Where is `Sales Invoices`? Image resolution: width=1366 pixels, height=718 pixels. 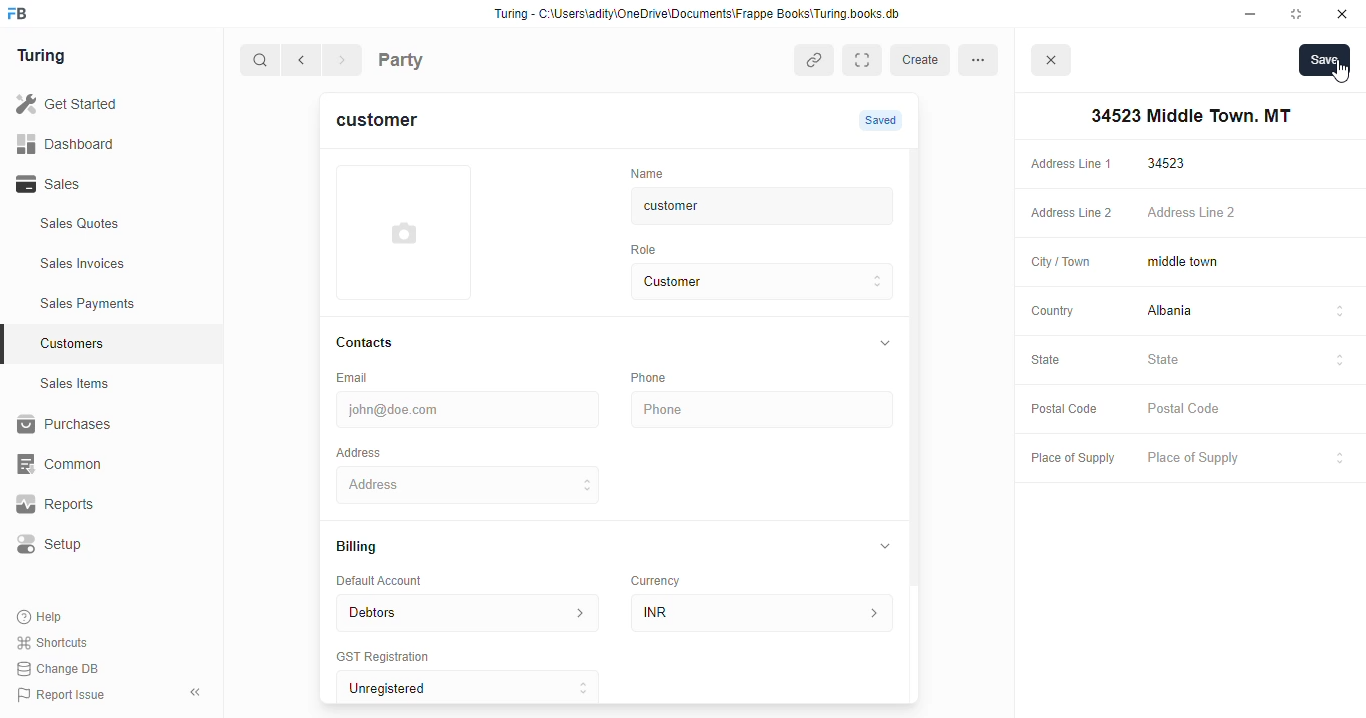 Sales Invoices is located at coordinates (117, 264).